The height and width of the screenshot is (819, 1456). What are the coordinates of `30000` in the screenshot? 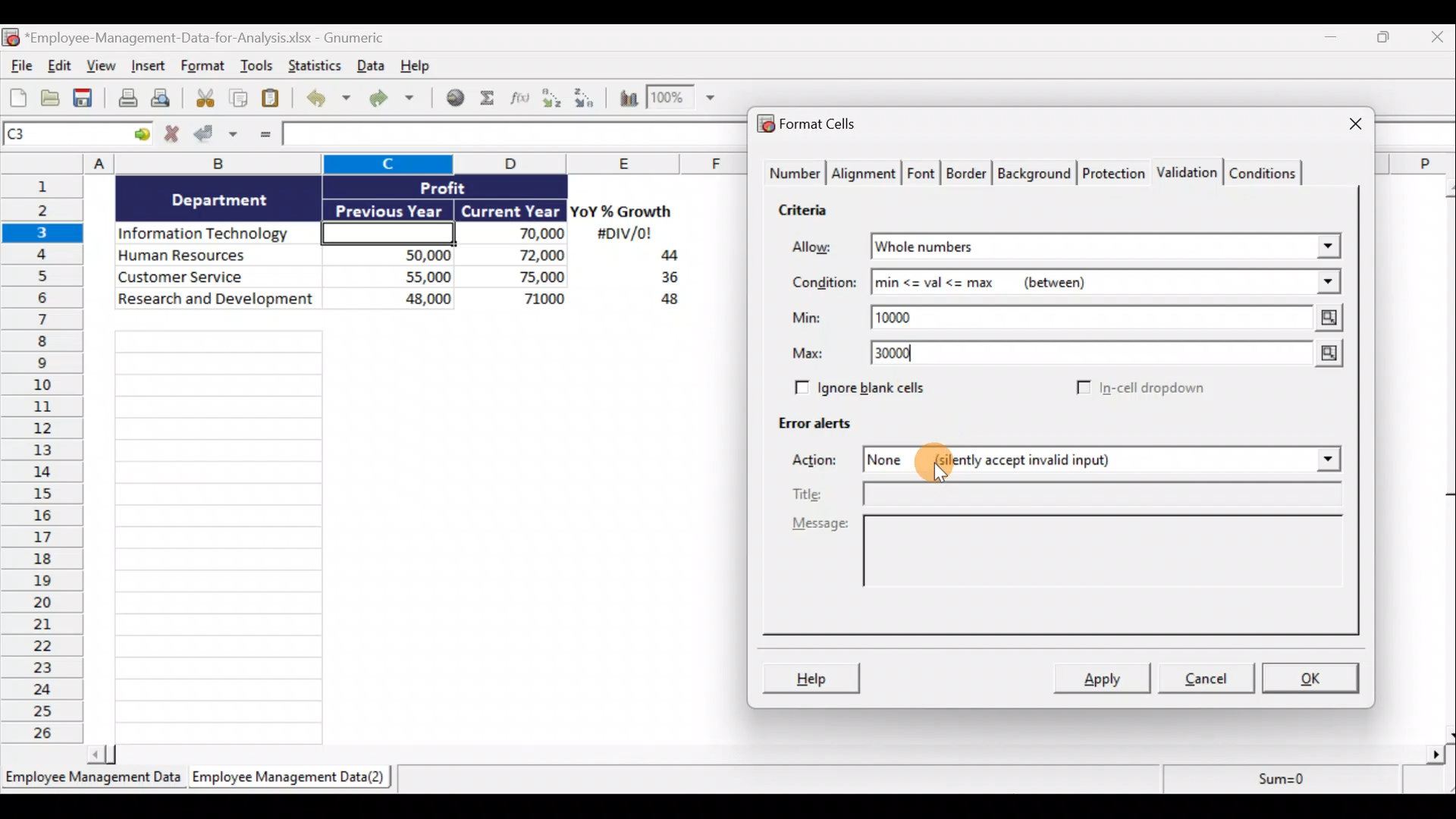 It's located at (904, 355).